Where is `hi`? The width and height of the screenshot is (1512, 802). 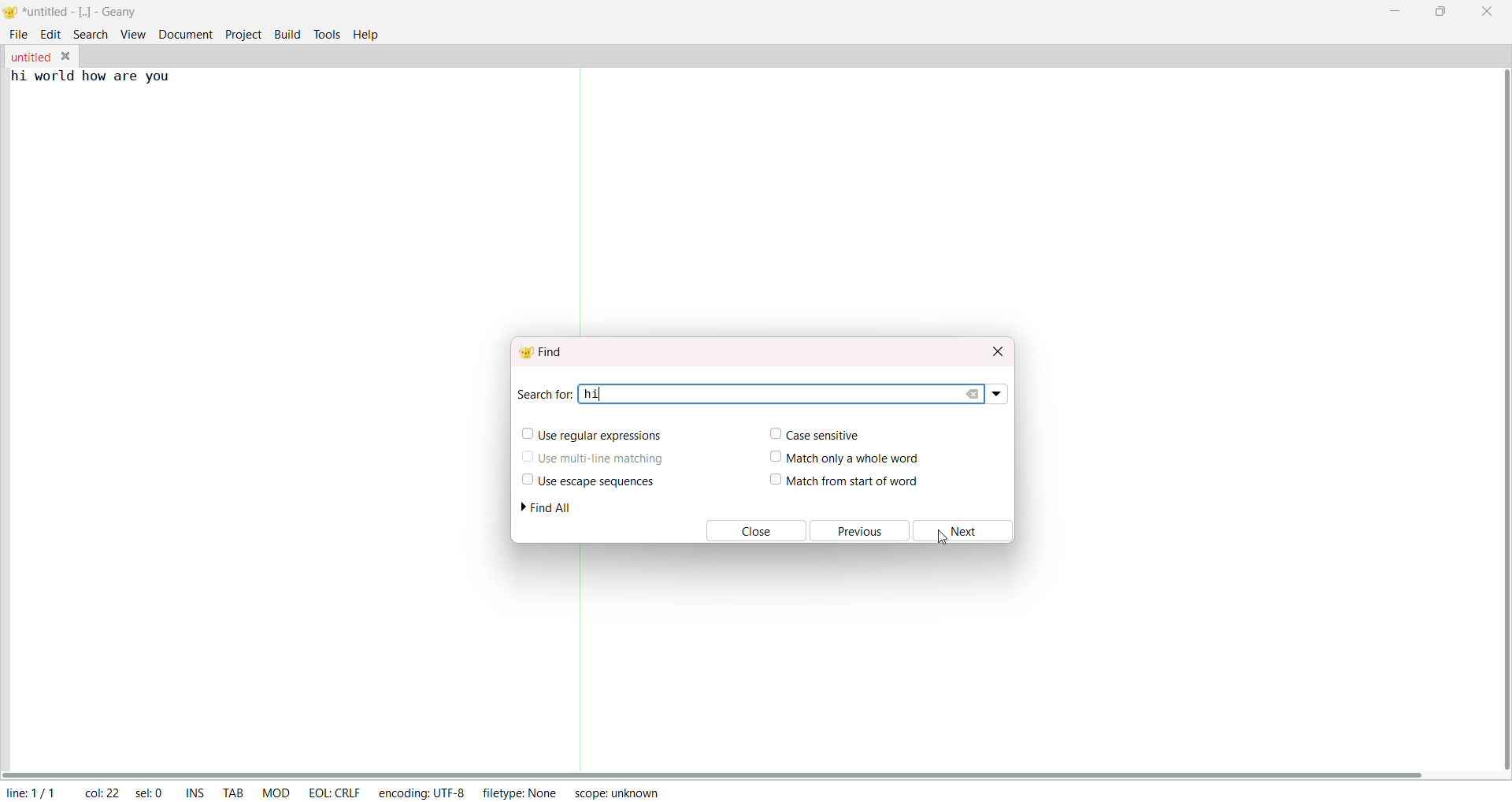
hi is located at coordinates (598, 392).